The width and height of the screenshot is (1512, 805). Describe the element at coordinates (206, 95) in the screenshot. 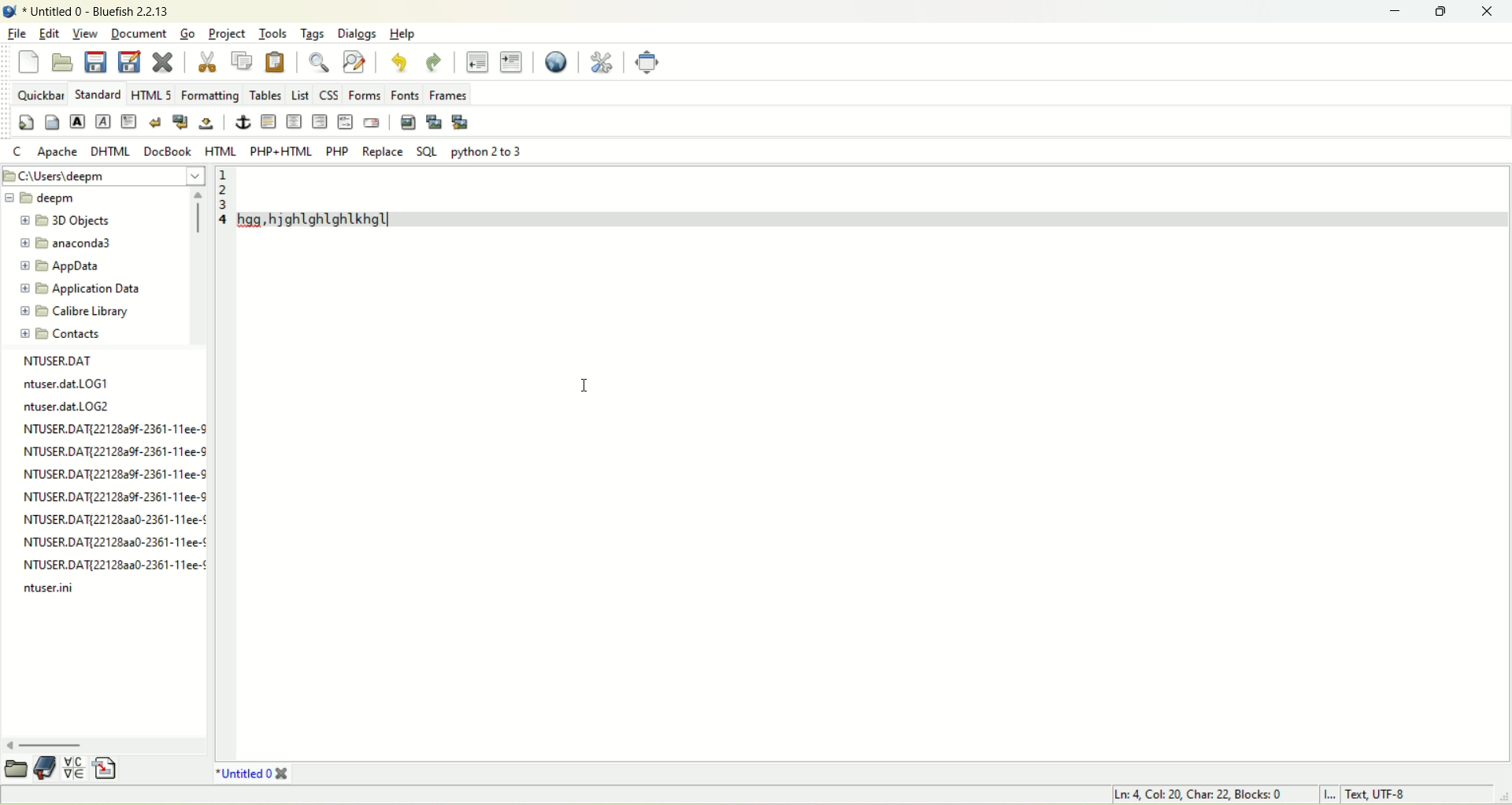

I see `formatting` at that location.